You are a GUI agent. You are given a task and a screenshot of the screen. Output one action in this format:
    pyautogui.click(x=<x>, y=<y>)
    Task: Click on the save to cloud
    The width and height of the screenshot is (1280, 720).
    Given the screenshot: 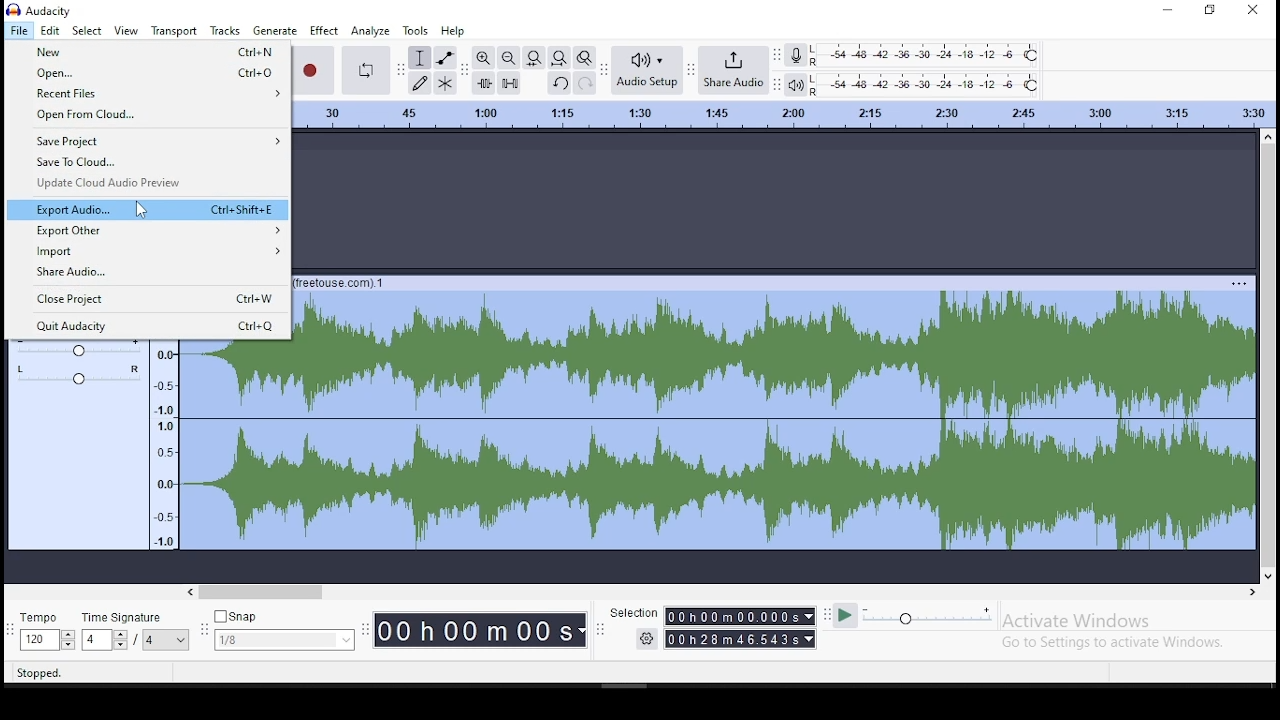 What is the action you would take?
    pyautogui.click(x=150, y=161)
    